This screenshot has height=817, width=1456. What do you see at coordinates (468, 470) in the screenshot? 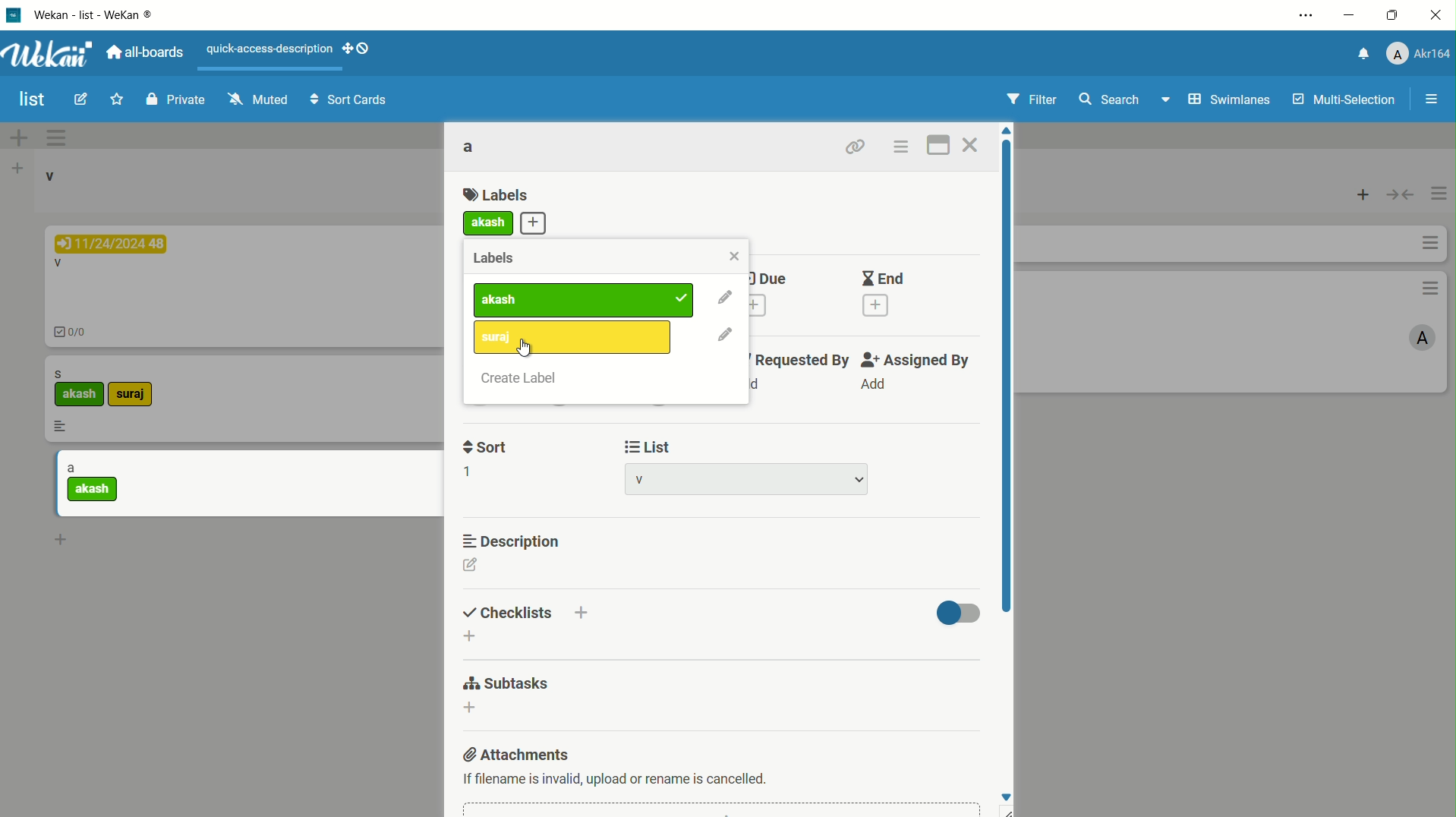
I see `` at bounding box center [468, 470].